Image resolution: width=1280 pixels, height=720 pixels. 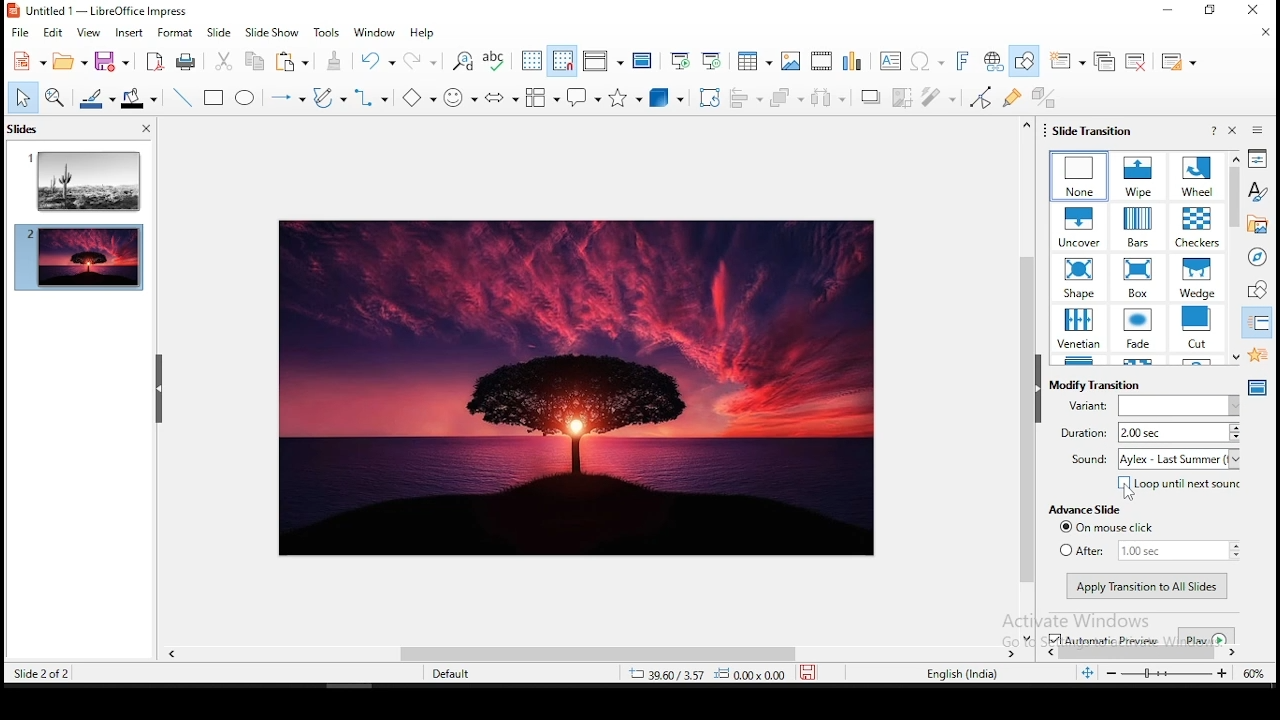 What do you see at coordinates (26, 128) in the screenshot?
I see `slides` at bounding box center [26, 128].